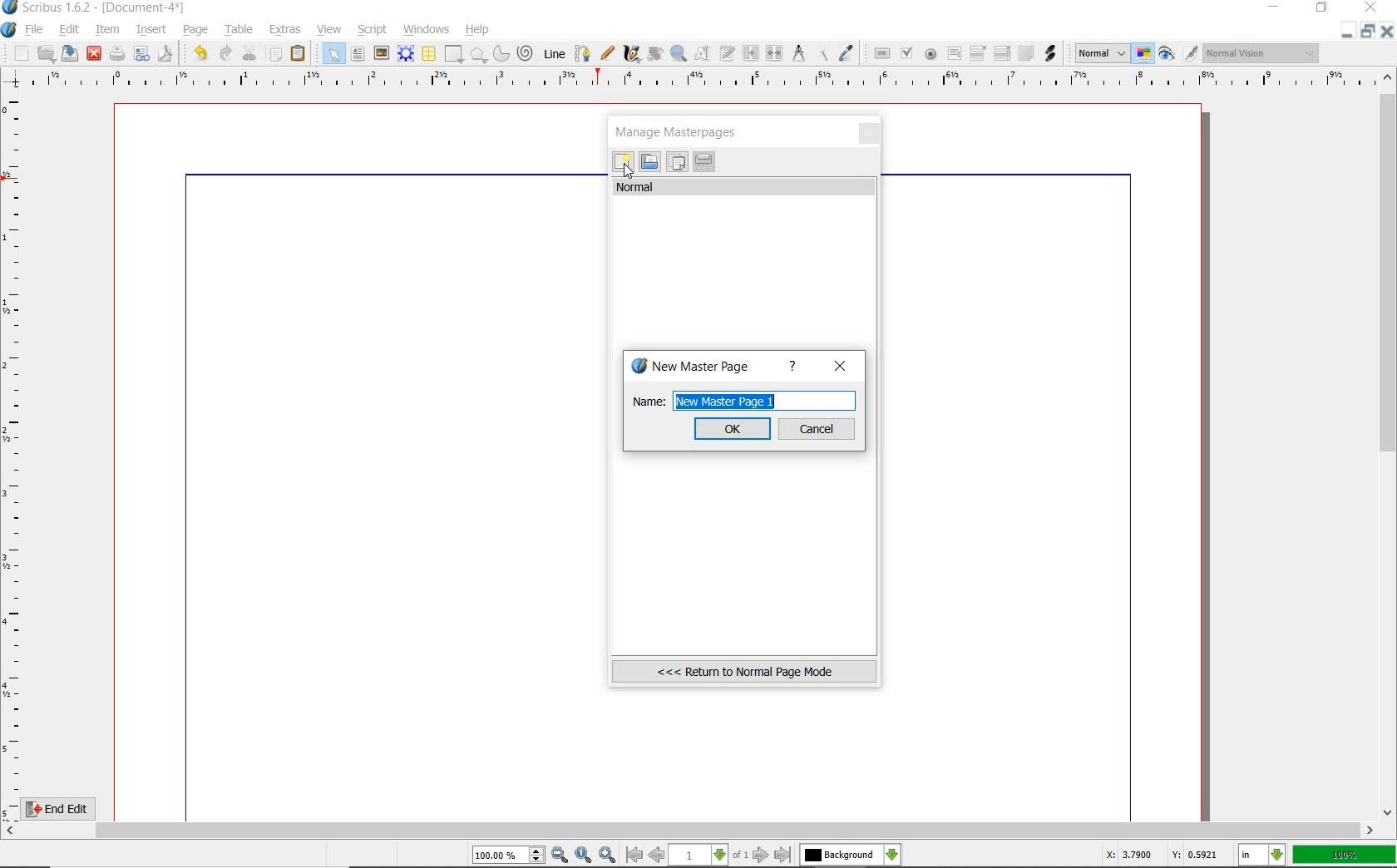 Image resolution: width=1397 pixels, height=868 pixels. I want to click on help, so click(792, 367).